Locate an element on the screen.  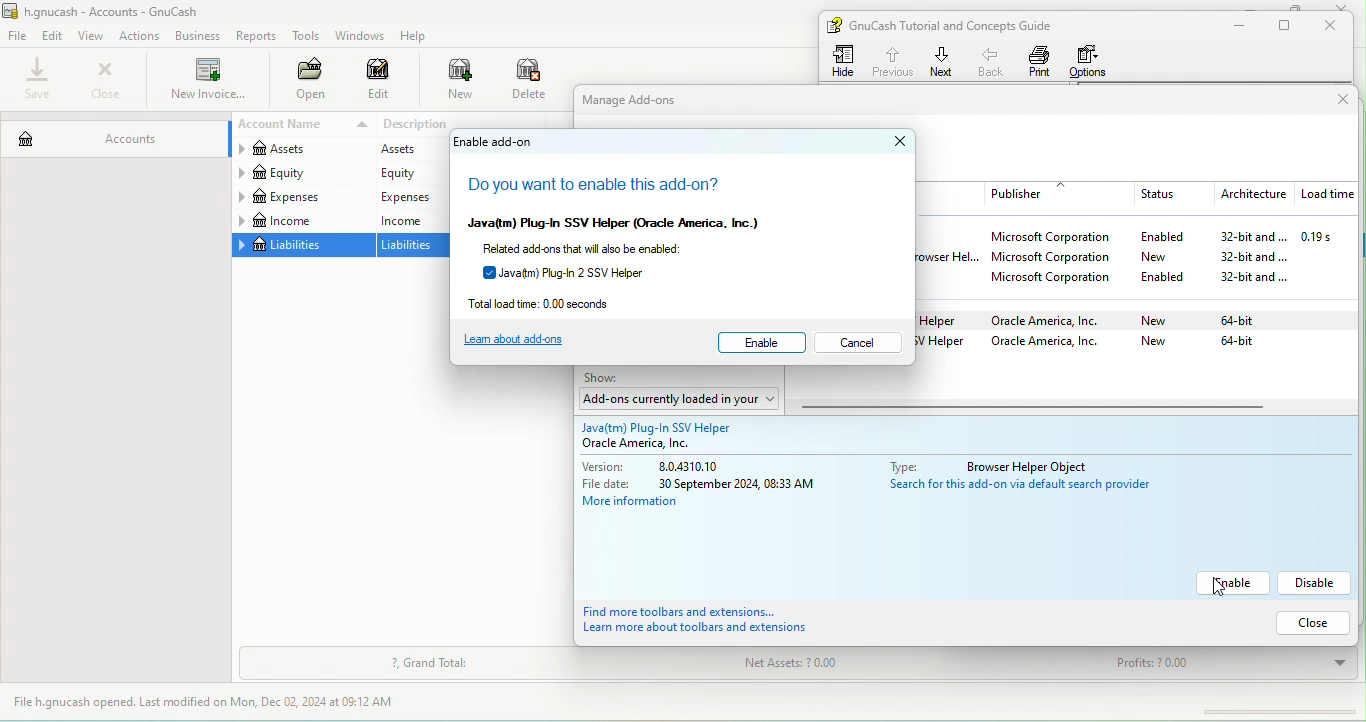
search for this add on via default search provider is located at coordinates (1031, 487).